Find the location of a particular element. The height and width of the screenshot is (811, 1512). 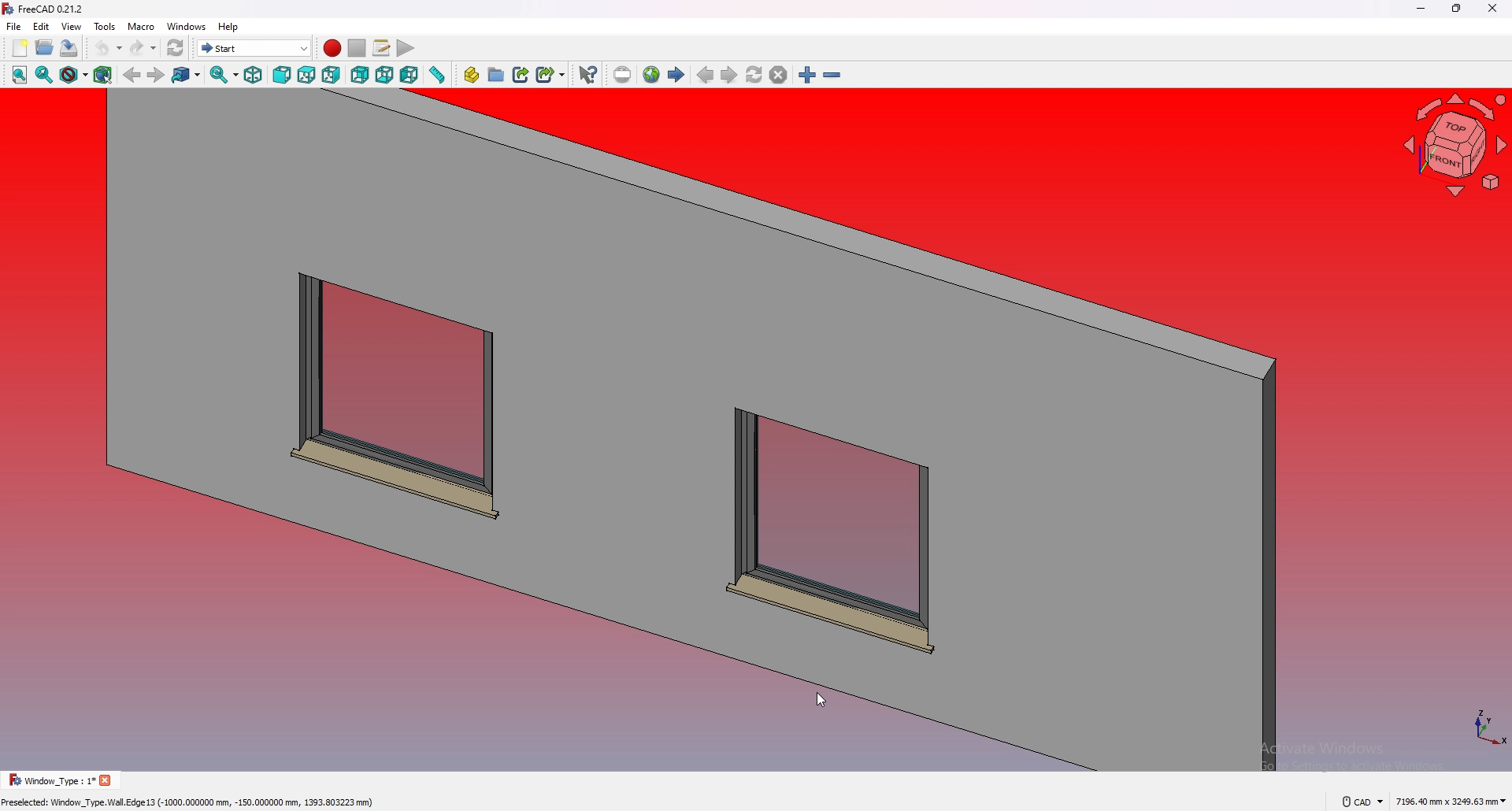

redo is located at coordinates (143, 48).